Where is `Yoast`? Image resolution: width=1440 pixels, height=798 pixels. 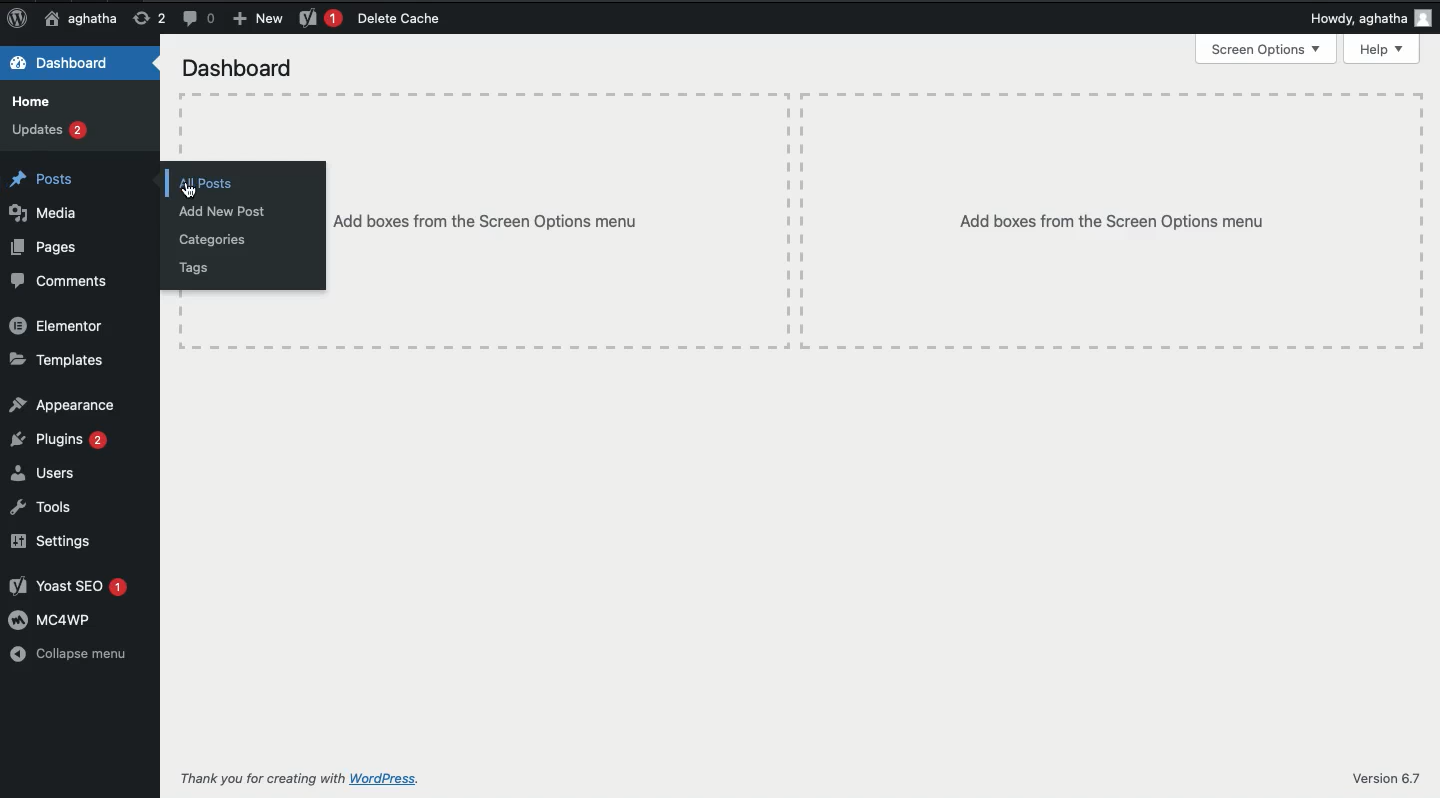 Yoast is located at coordinates (318, 18).